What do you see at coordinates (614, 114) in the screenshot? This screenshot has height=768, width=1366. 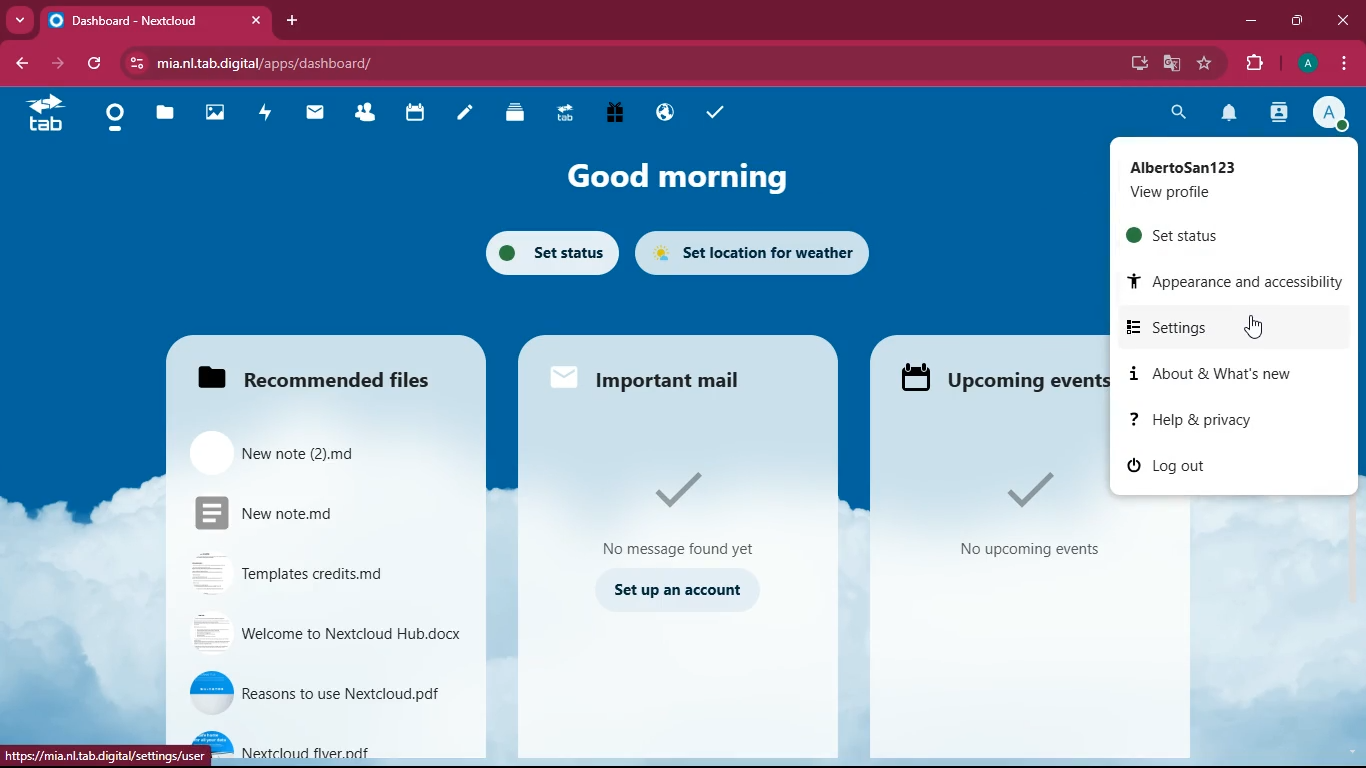 I see `Free Trail PC` at bounding box center [614, 114].